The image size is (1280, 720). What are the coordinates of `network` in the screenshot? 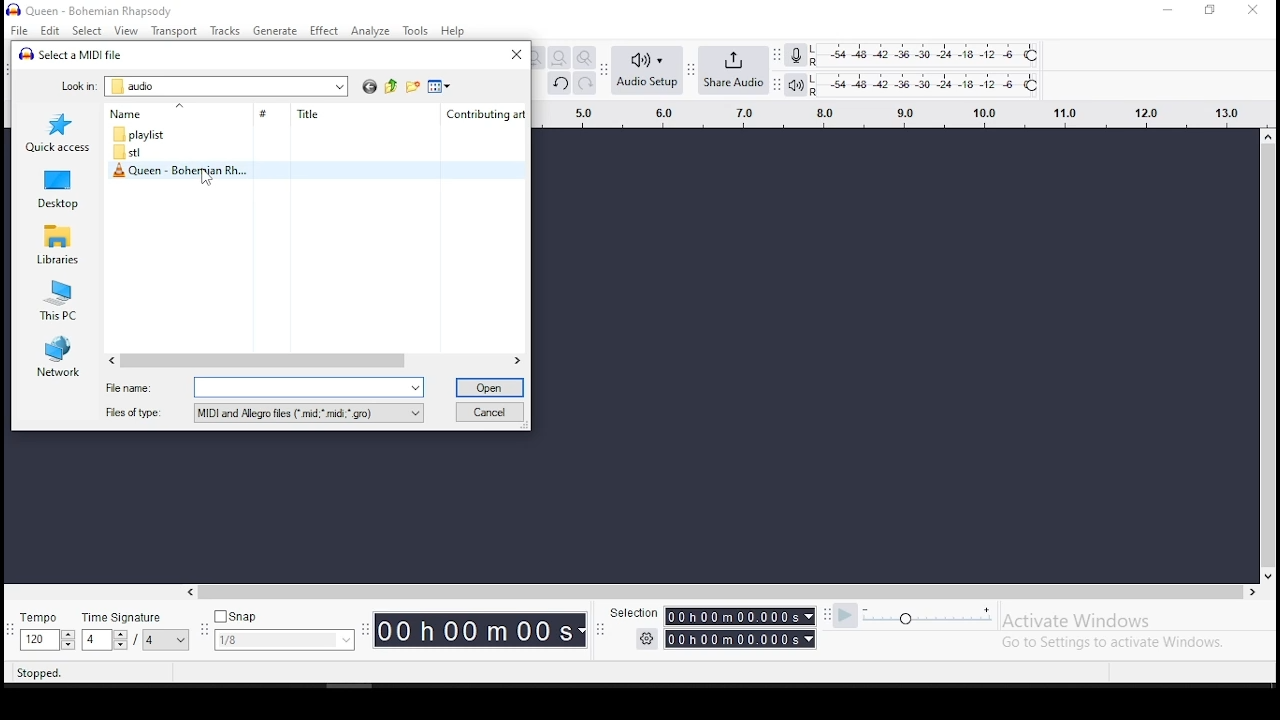 It's located at (60, 356).